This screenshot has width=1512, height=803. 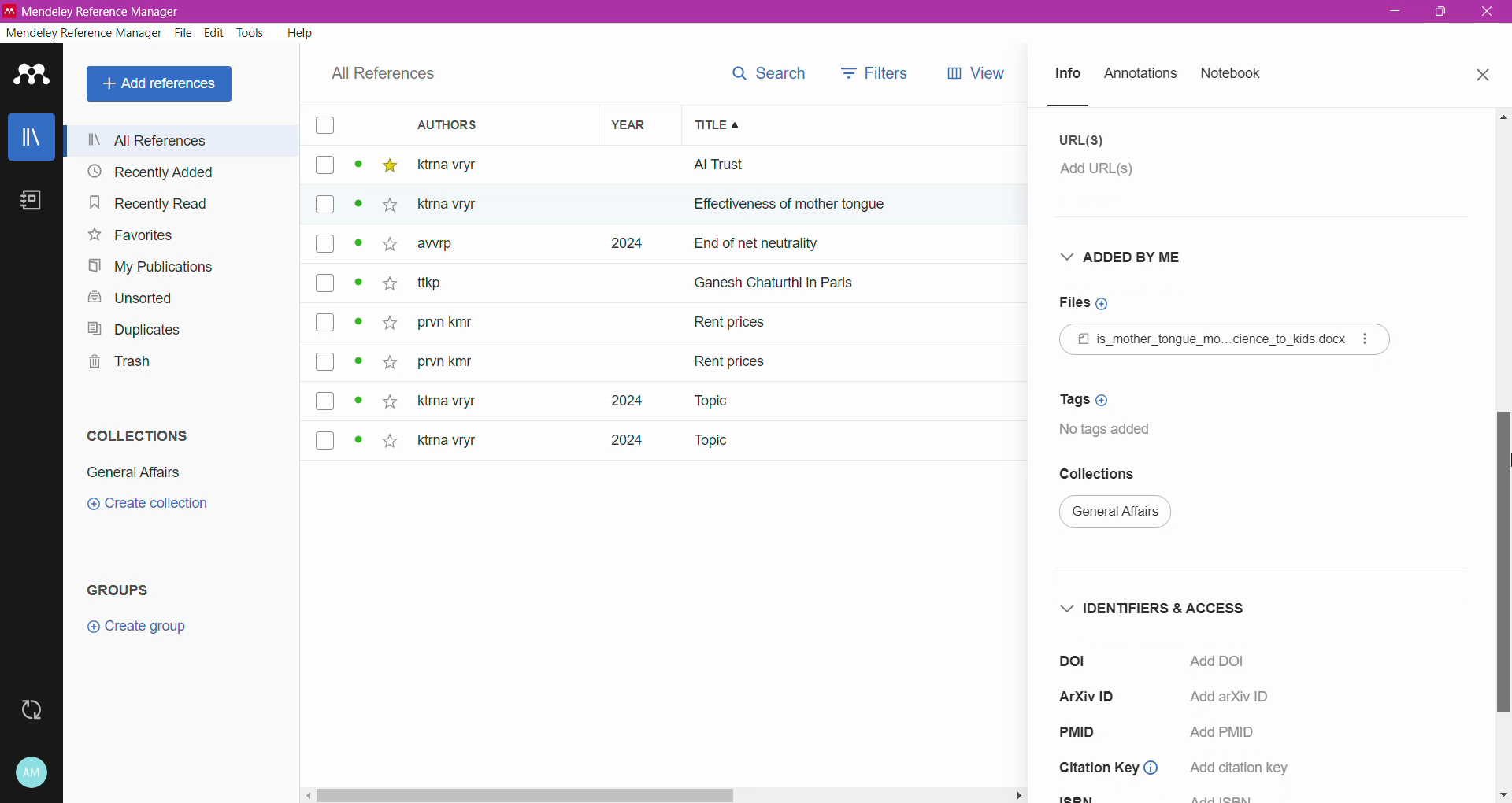 What do you see at coordinates (390, 400) in the screenshot?
I see `star` at bounding box center [390, 400].